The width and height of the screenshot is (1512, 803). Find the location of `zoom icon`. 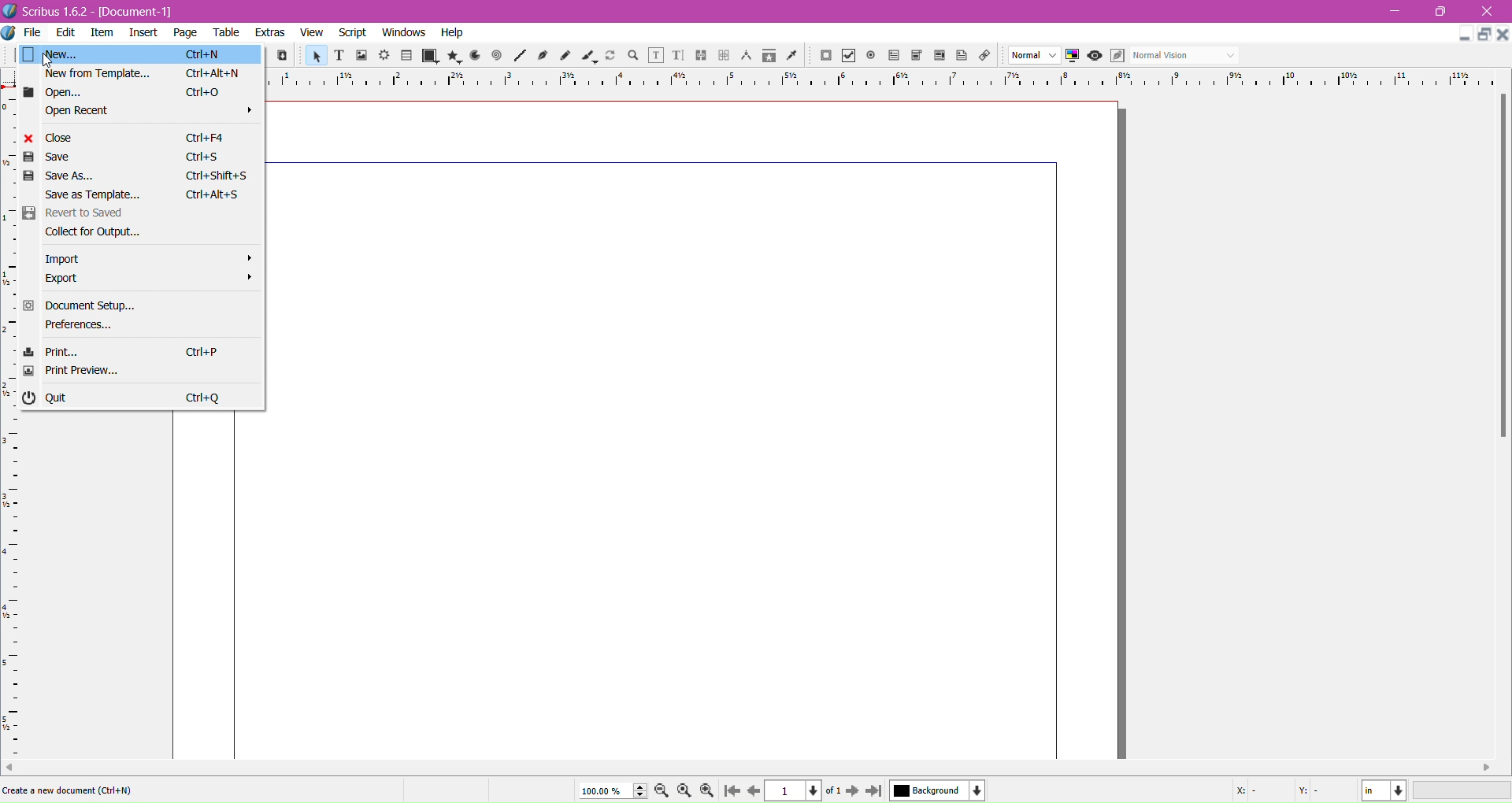

zoom icon is located at coordinates (711, 790).